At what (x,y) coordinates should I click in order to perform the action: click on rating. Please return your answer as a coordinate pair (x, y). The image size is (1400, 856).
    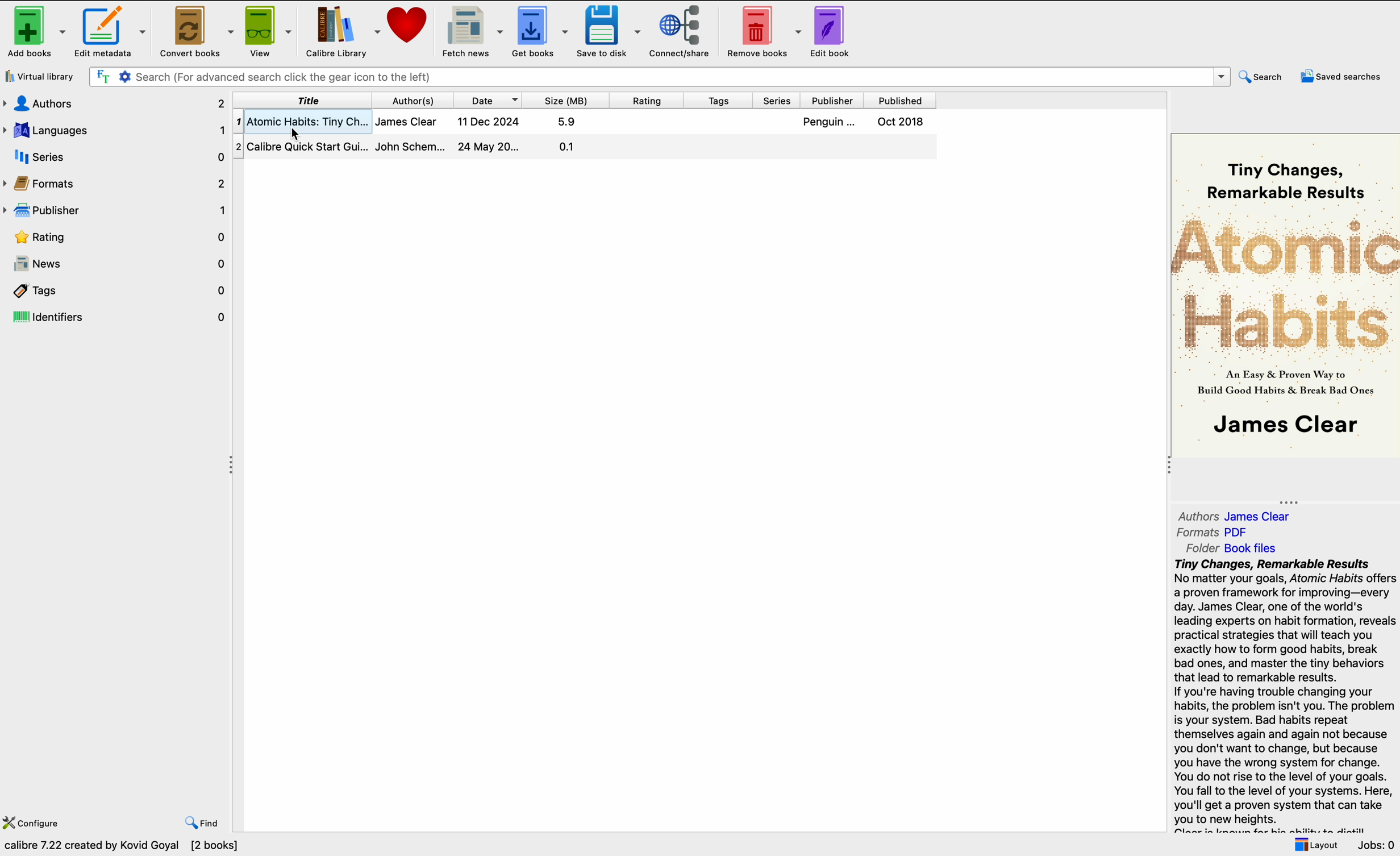
    Looking at the image, I should click on (647, 100).